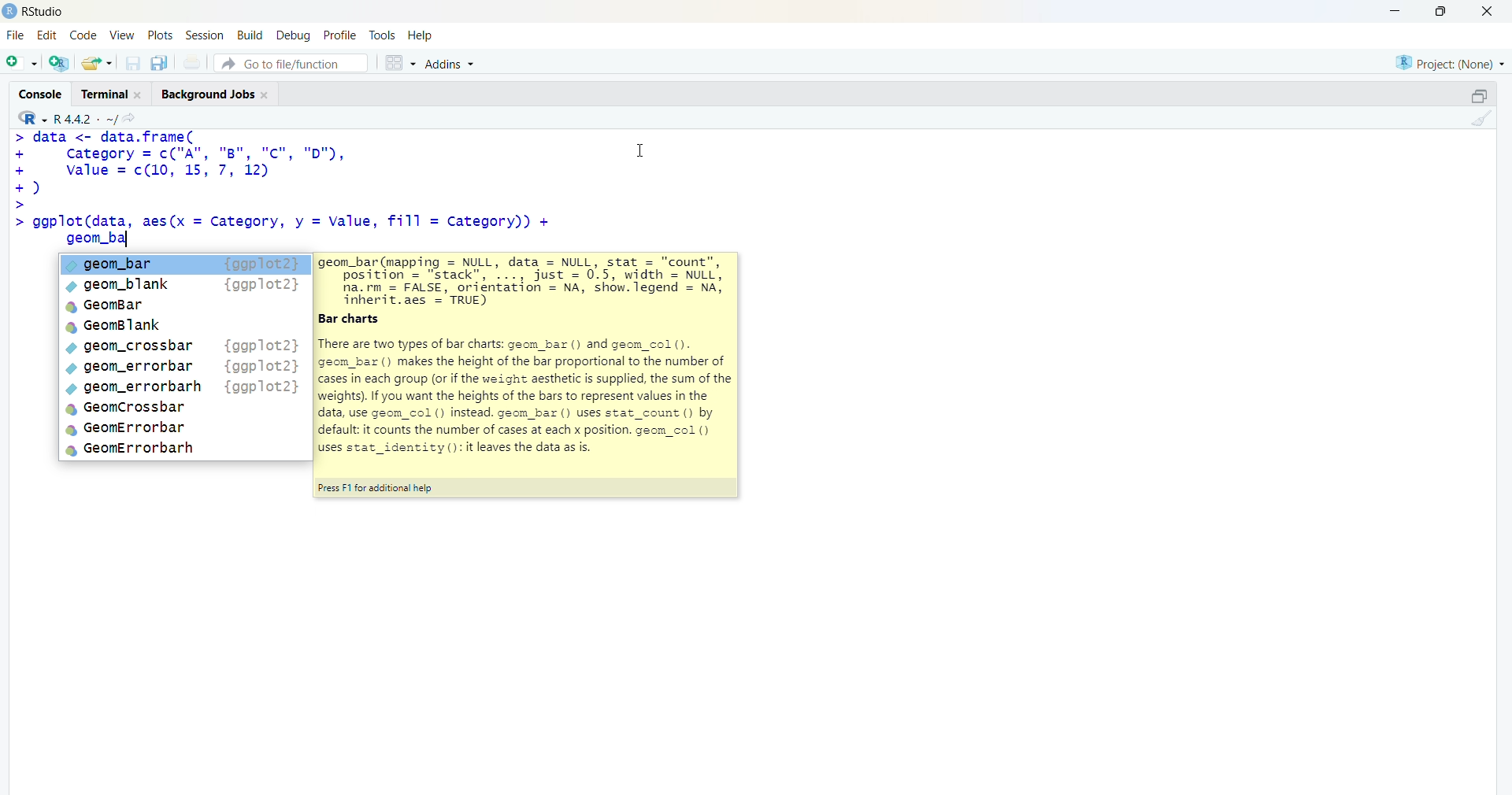 The height and width of the screenshot is (795, 1512). What do you see at coordinates (85, 117) in the screenshot?
I see ` R language version - R 4.4.2` at bounding box center [85, 117].